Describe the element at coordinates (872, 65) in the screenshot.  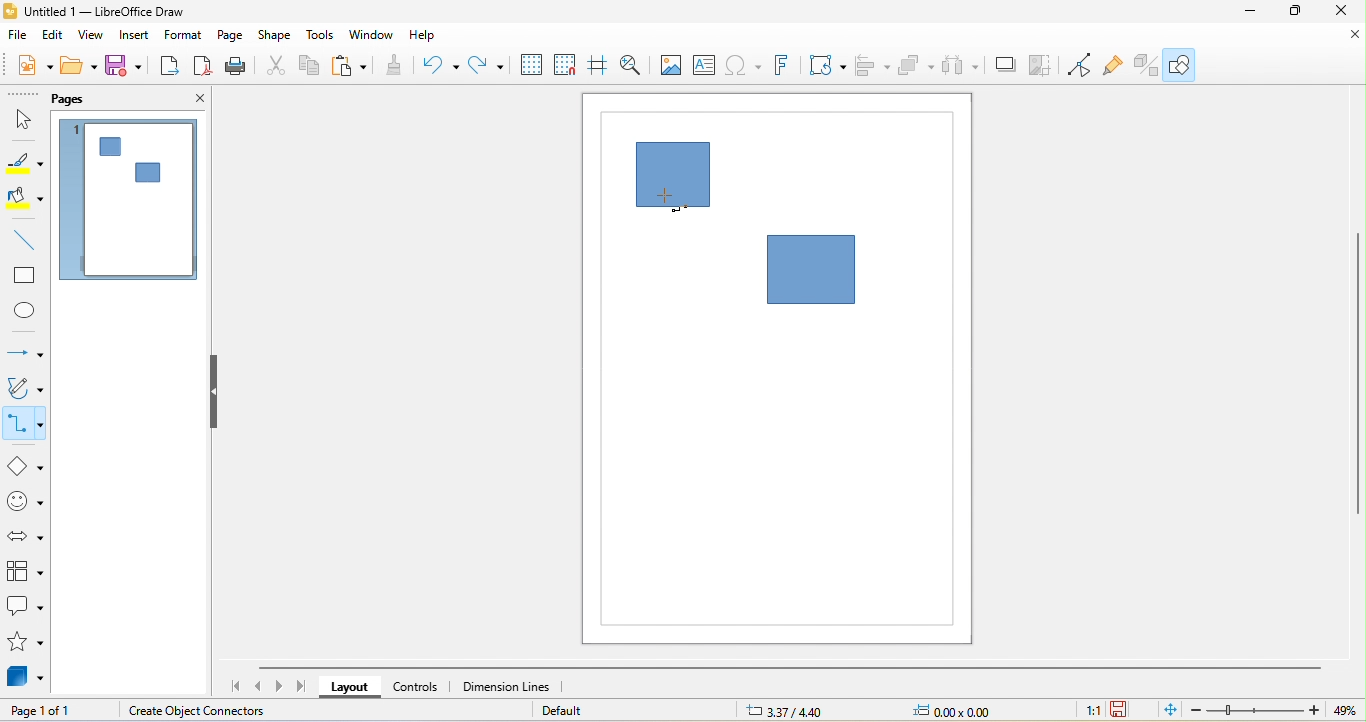
I see `align object` at that location.